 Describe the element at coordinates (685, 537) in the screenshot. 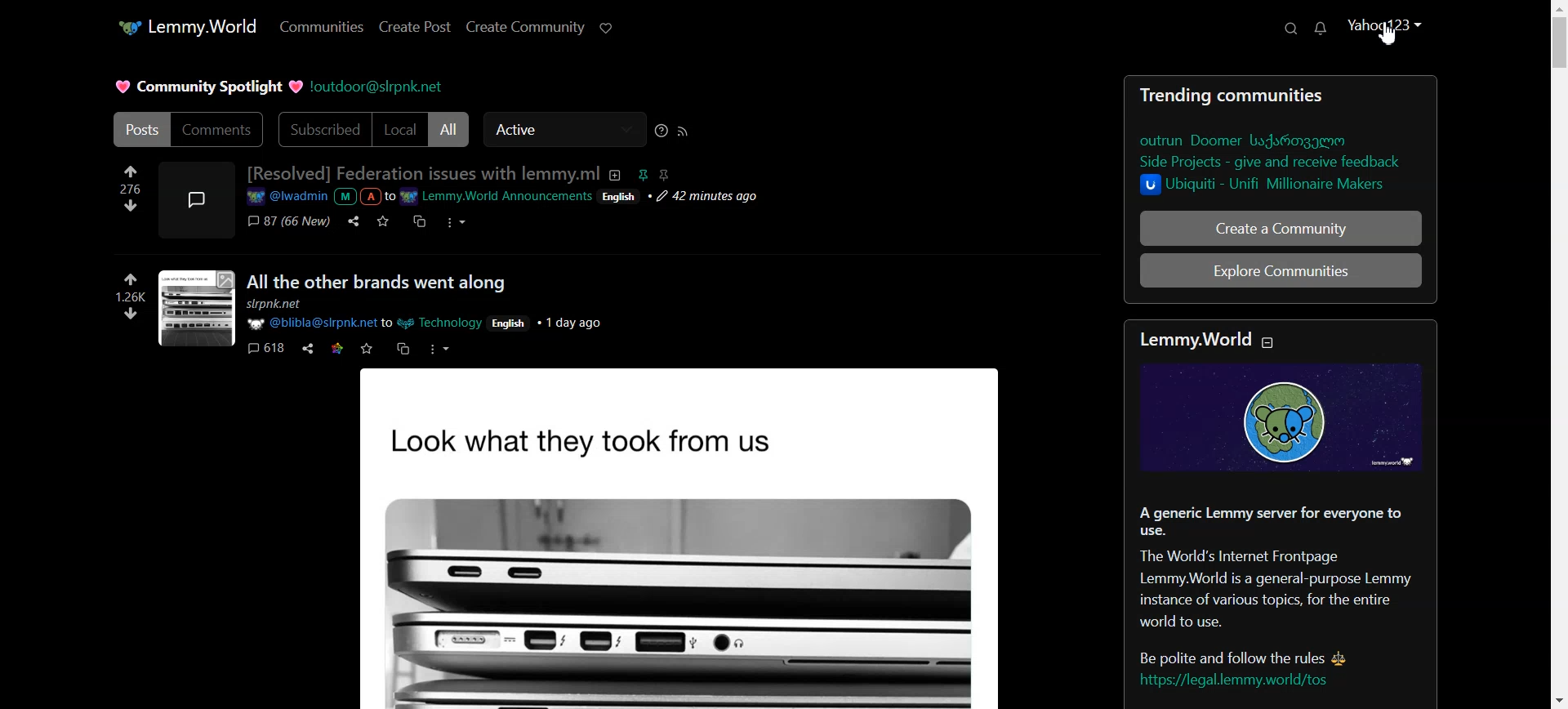

I see `Look what they took from us meme` at that location.